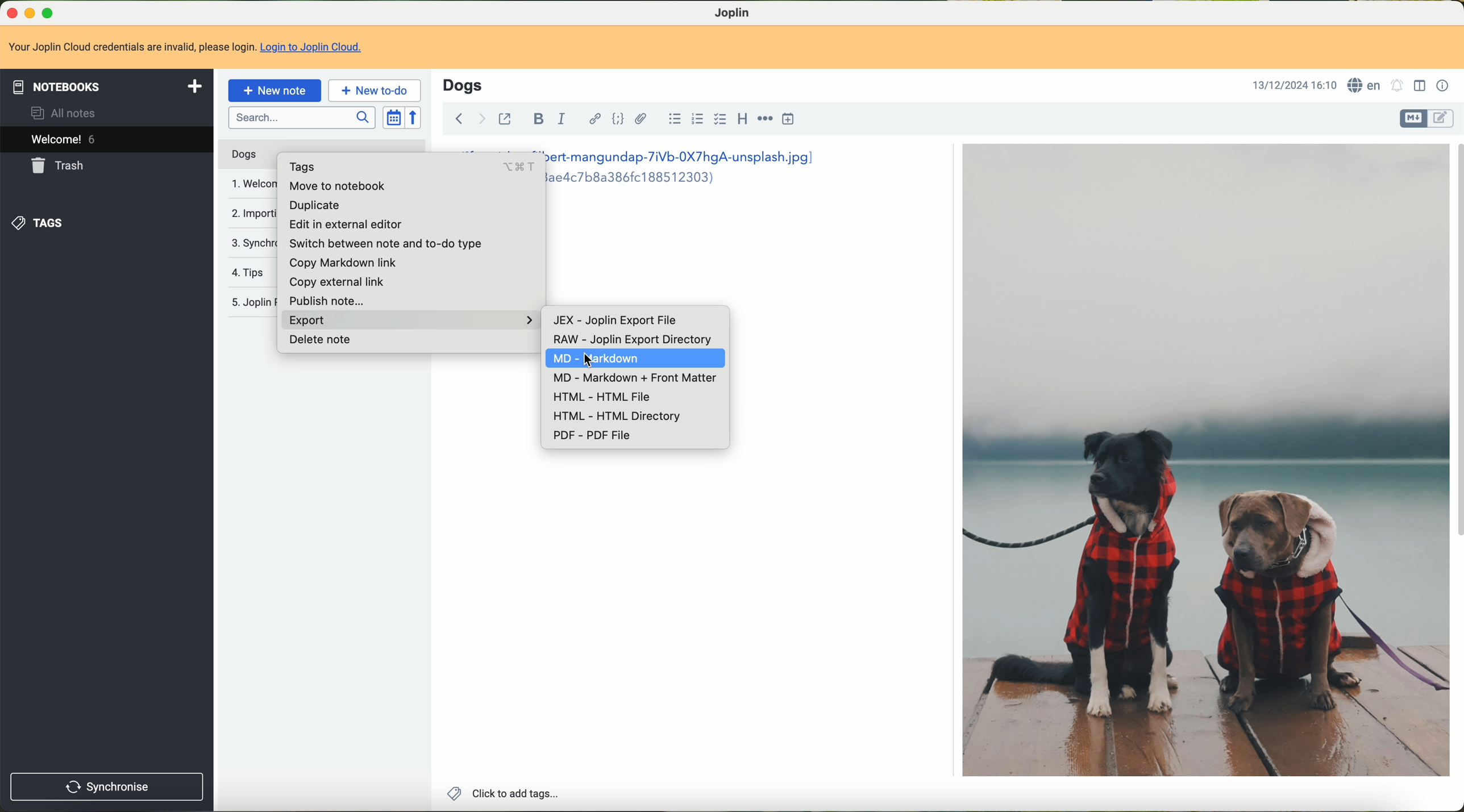  What do you see at coordinates (1420, 85) in the screenshot?
I see `toggle editor layout` at bounding box center [1420, 85].